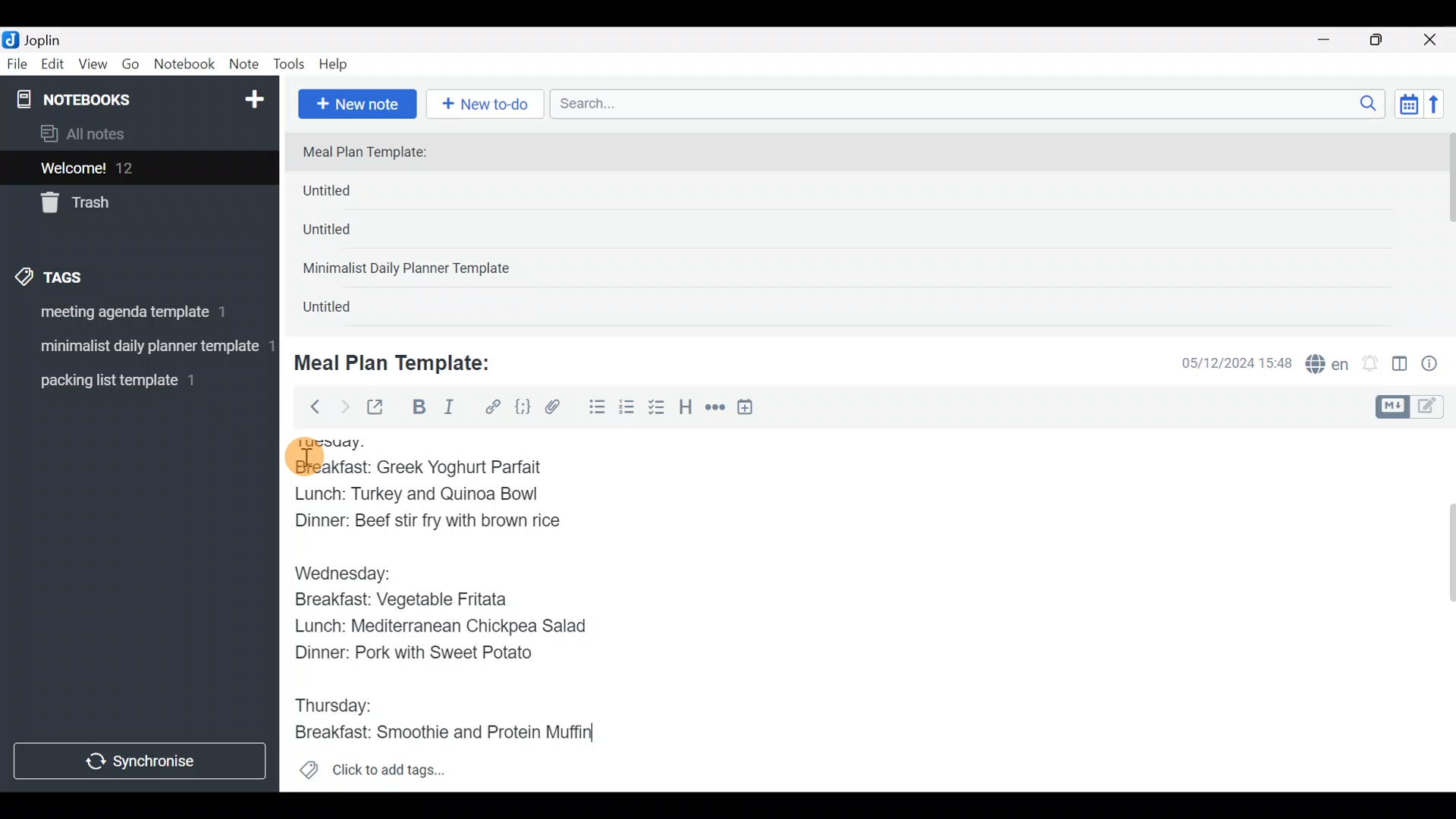  I want to click on New to-do, so click(488, 105).